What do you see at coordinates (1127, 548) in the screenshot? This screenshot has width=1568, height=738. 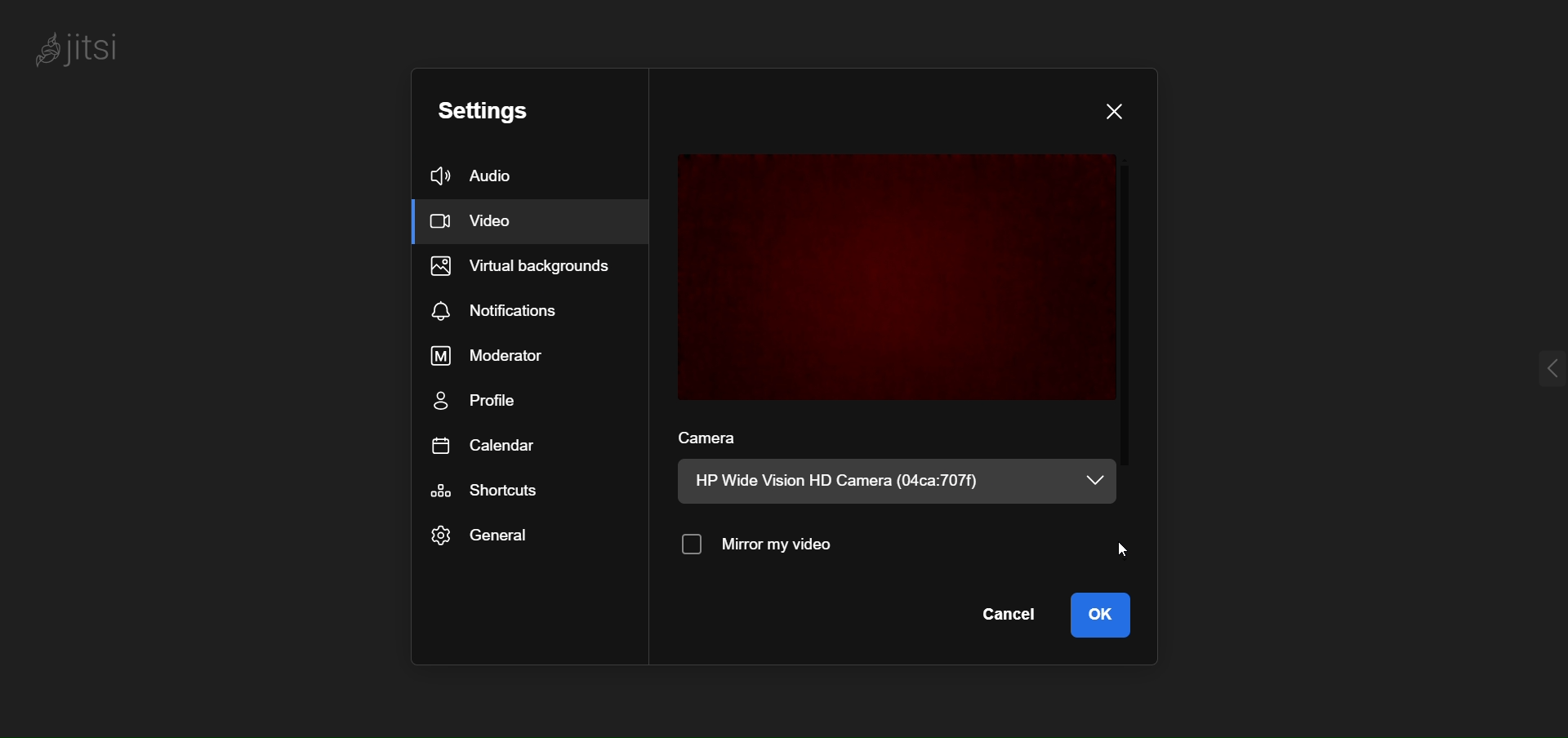 I see `cursor` at bounding box center [1127, 548].